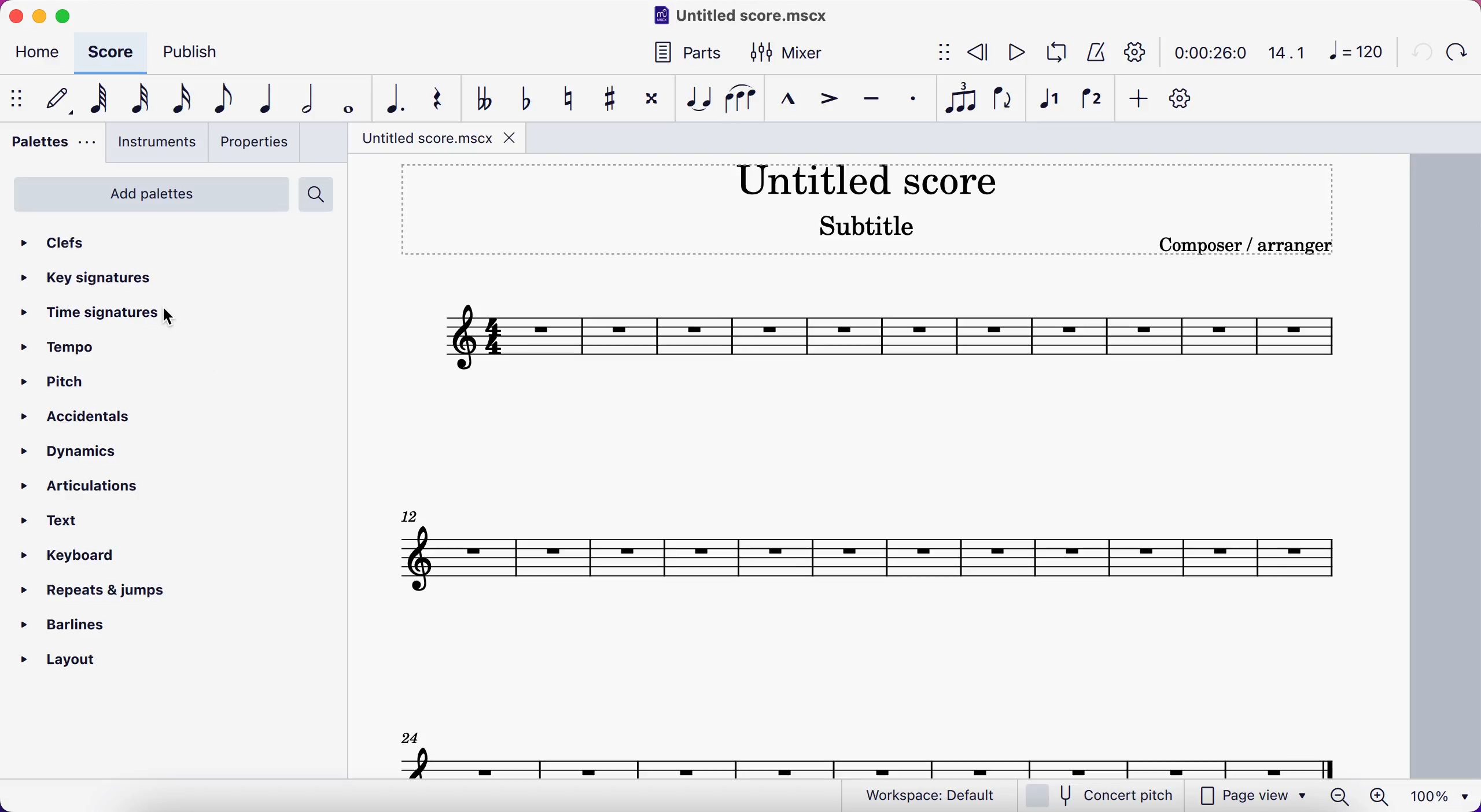 The width and height of the screenshot is (1481, 812). I want to click on toggle flat, so click(521, 97).